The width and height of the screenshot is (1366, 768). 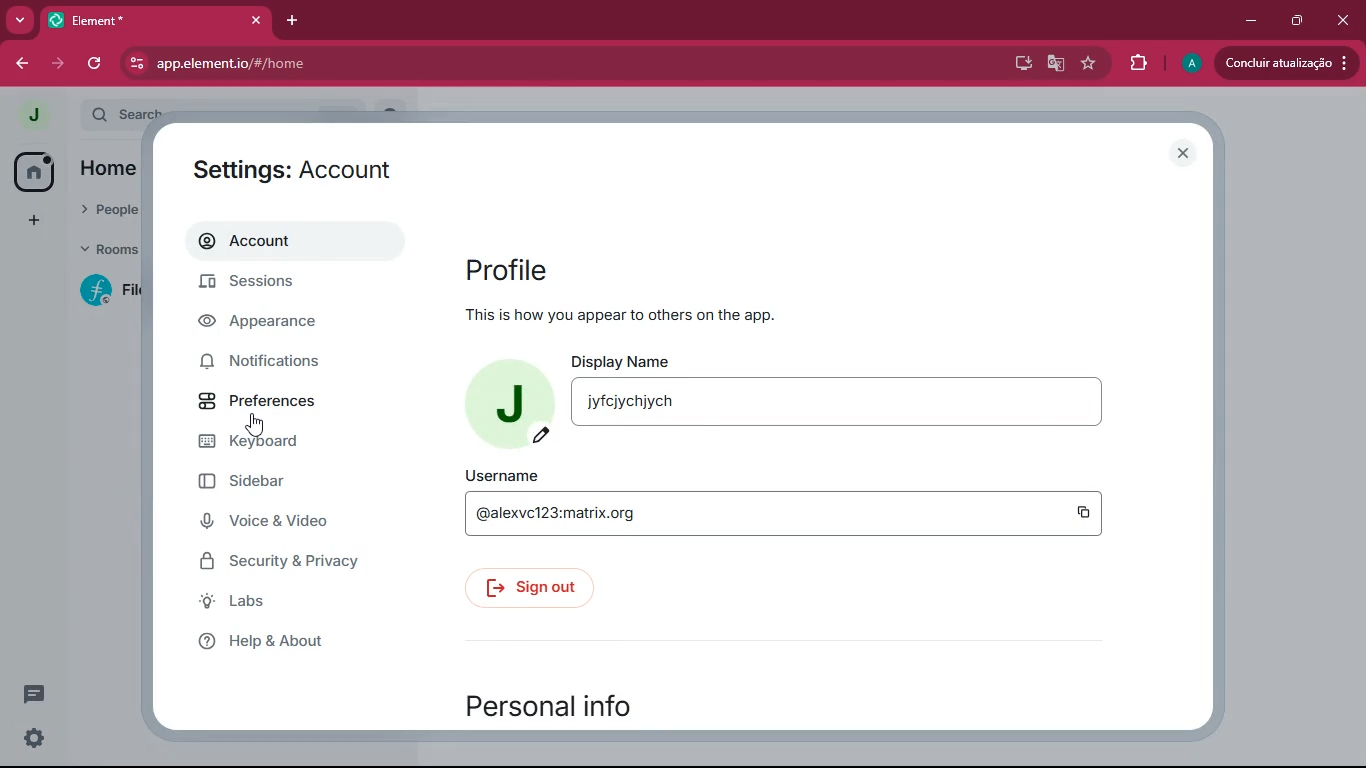 What do you see at coordinates (27, 174) in the screenshot?
I see `home` at bounding box center [27, 174].